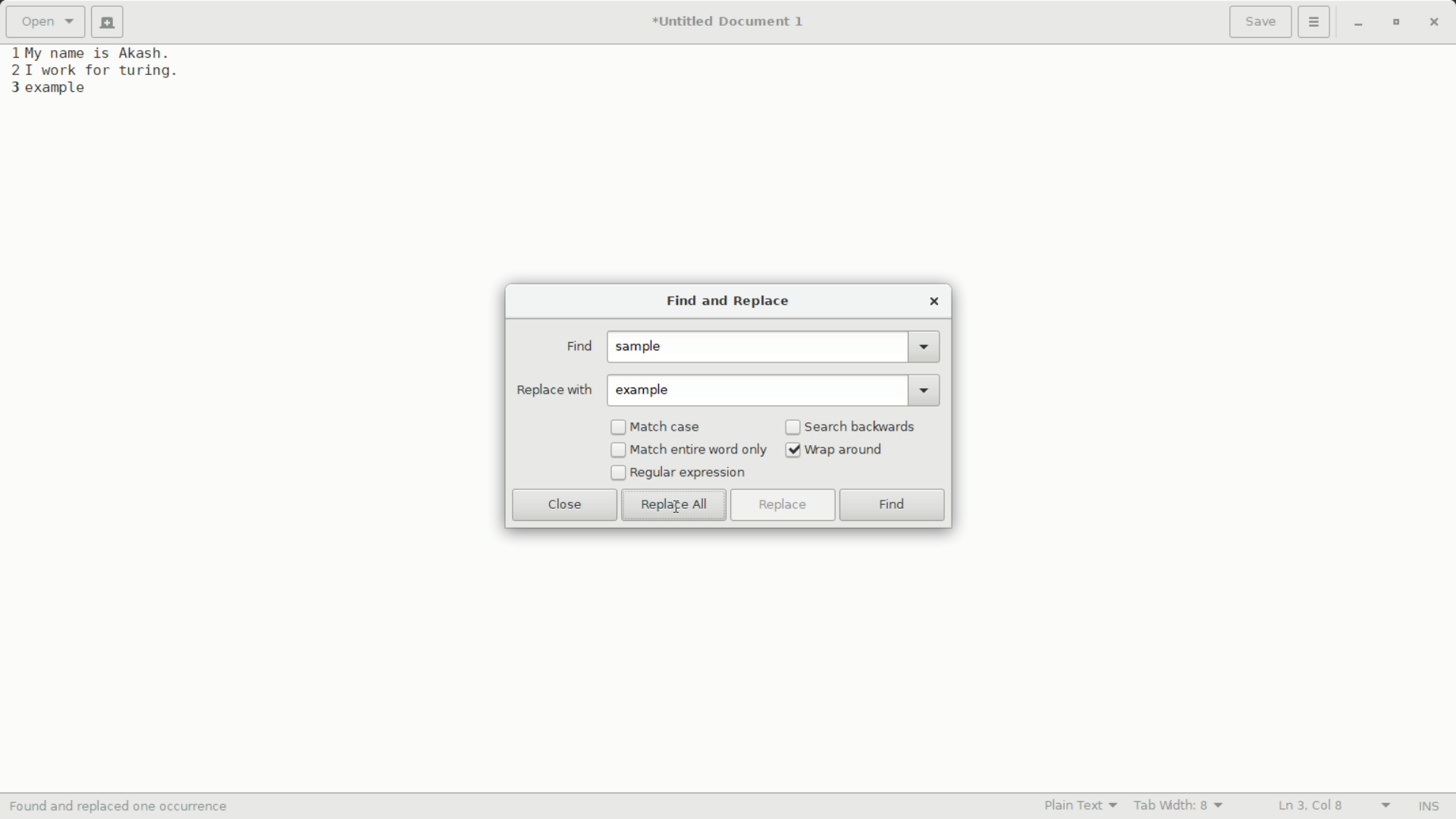 Image resolution: width=1456 pixels, height=819 pixels. Describe the element at coordinates (1332, 806) in the screenshot. I see `lines and columns` at that location.